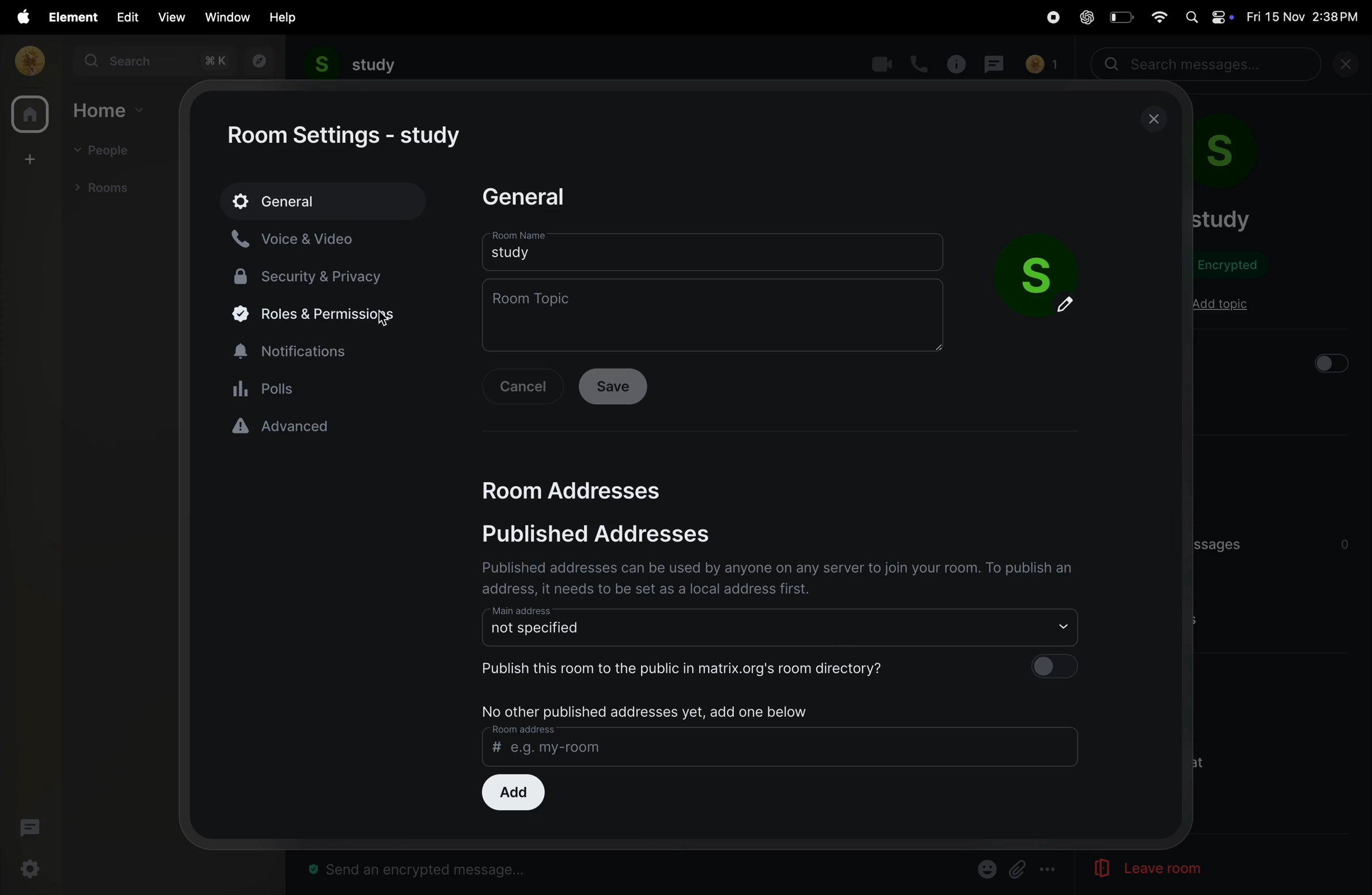 This screenshot has width=1372, height=895. Describe the element at coordinates (784, 625) in the screenshot. I see `not specified` at that location.